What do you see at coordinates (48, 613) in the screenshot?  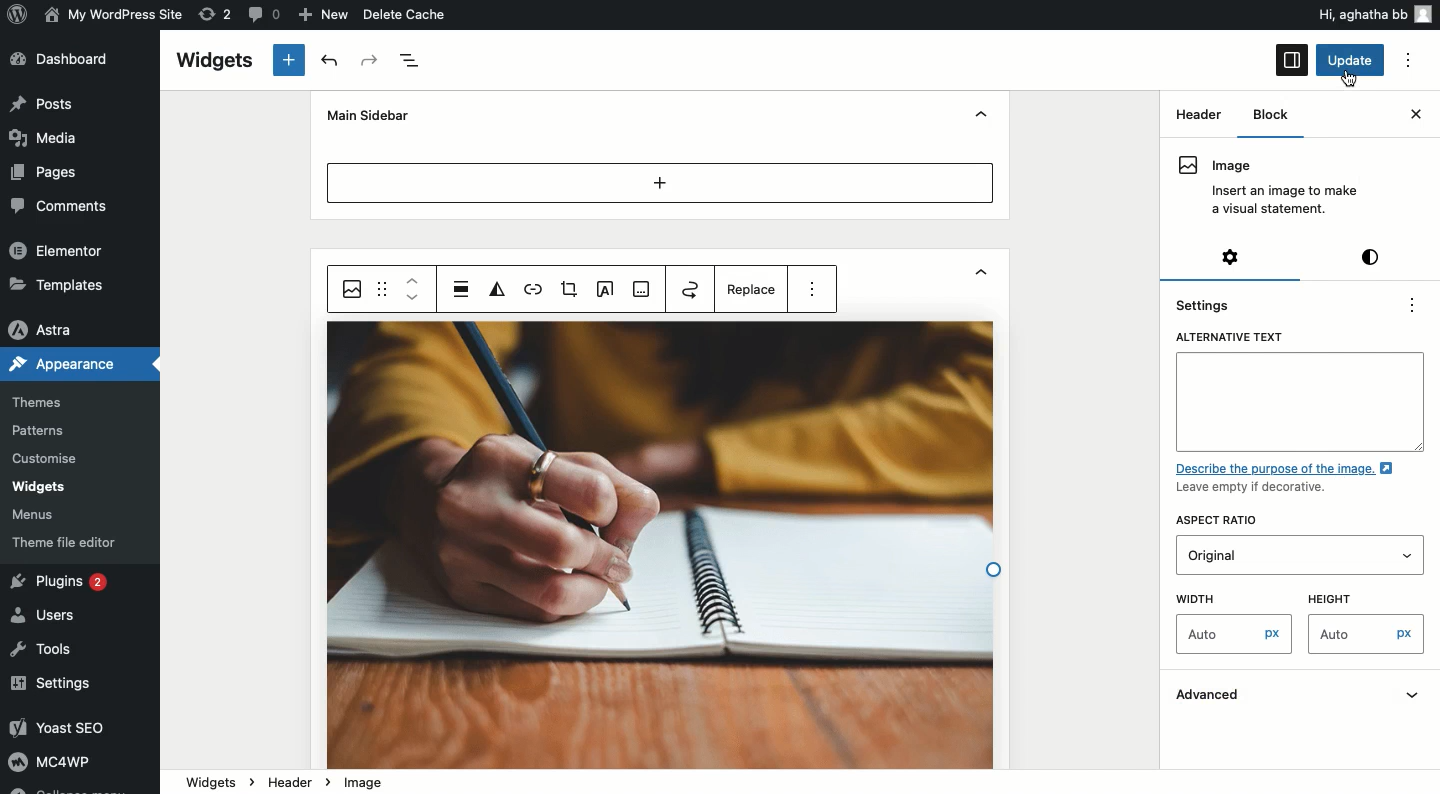 I see `Users` at bounding box center [48, 613].